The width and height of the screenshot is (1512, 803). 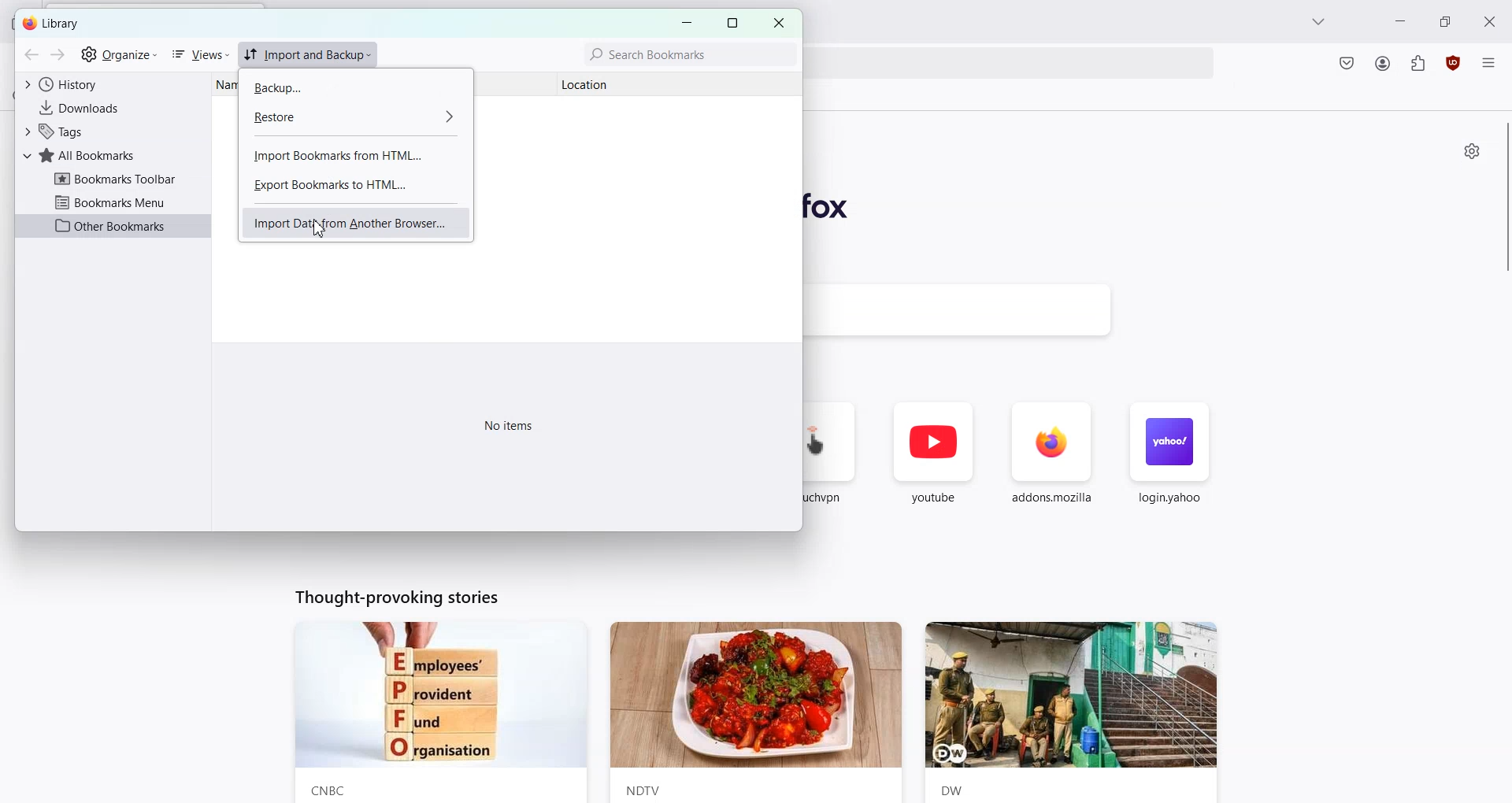 I want to click on Restore, so click(x=350, y=115).